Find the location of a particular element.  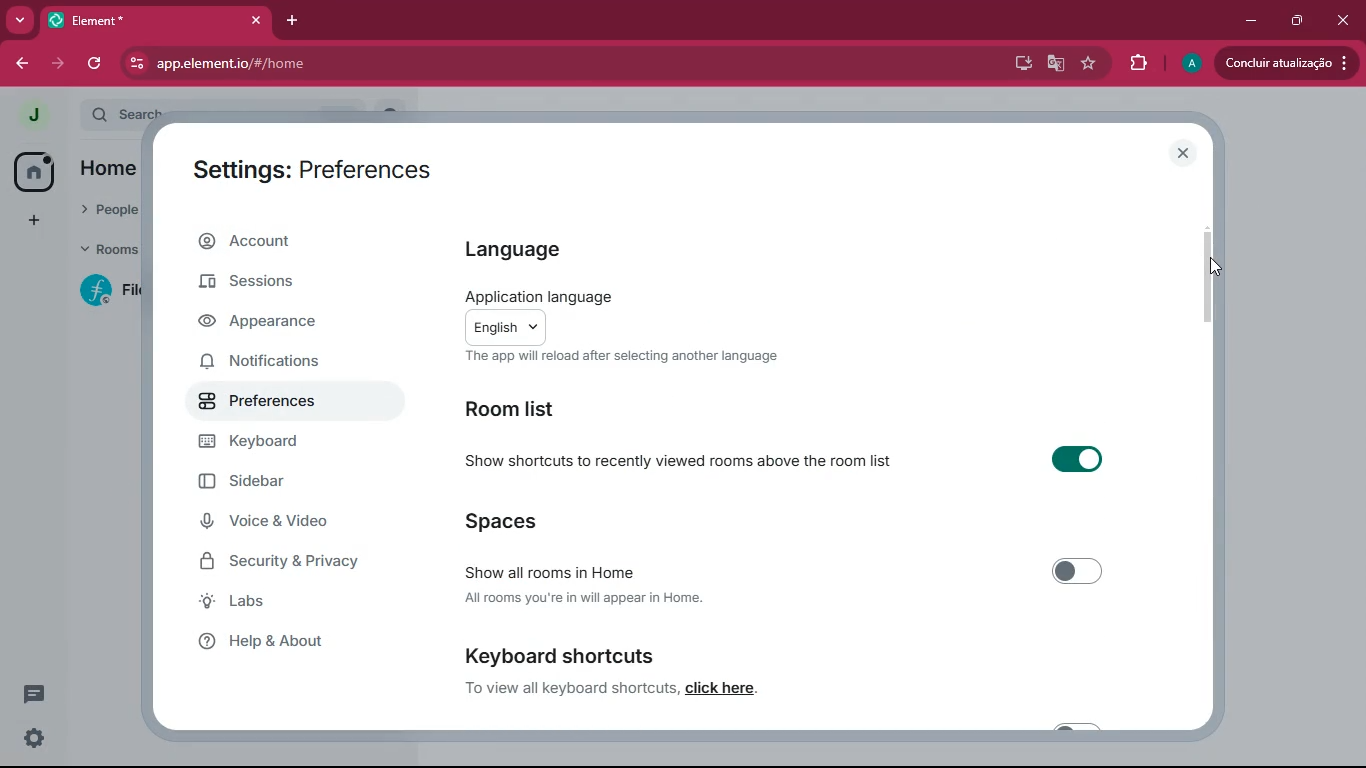

sessions is located at coordinates (272, 280).